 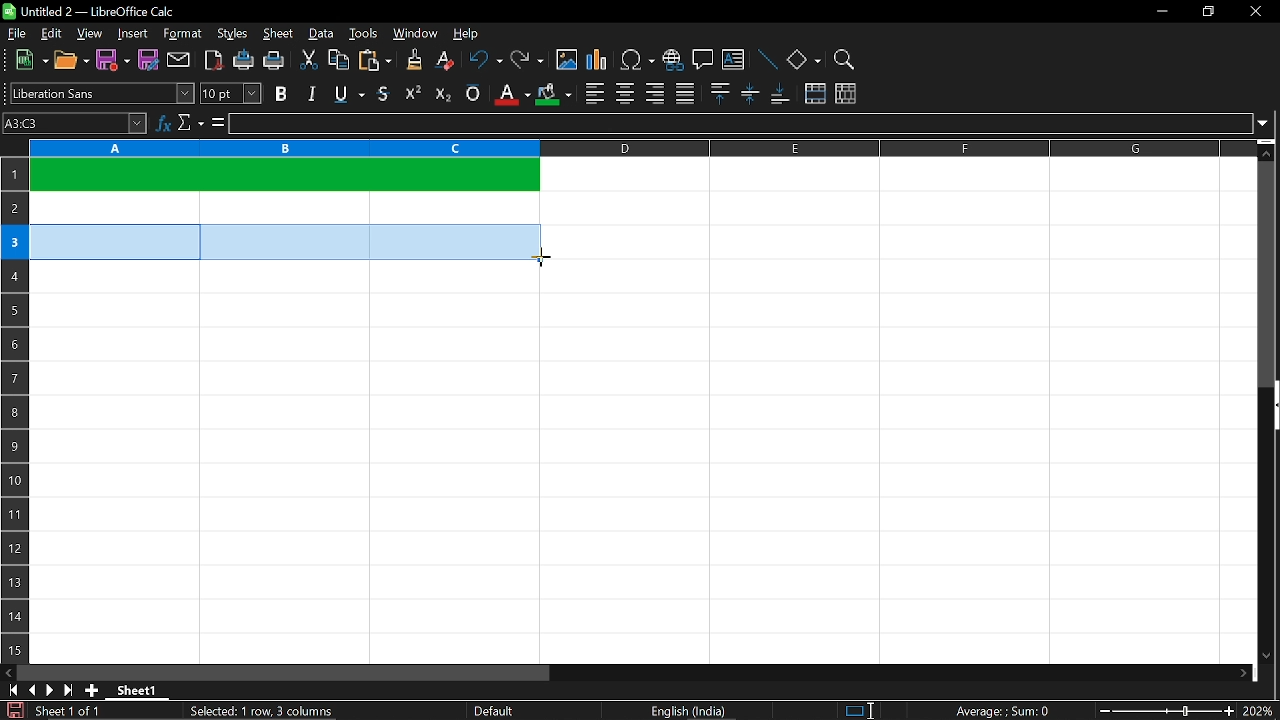 I want to click on paste, so click(x=374, y=61).